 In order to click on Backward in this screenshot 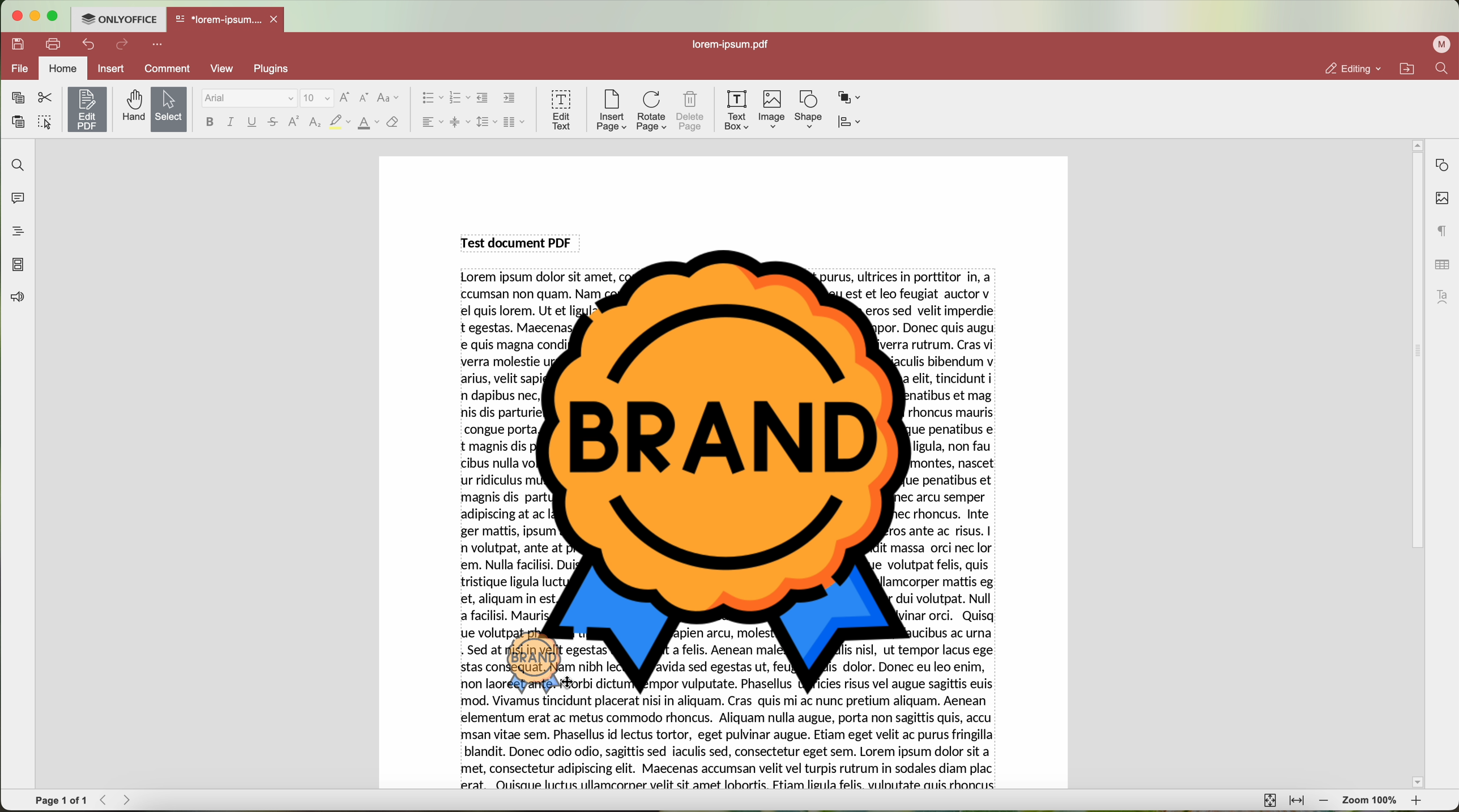, I will do `click(107, 800)`.